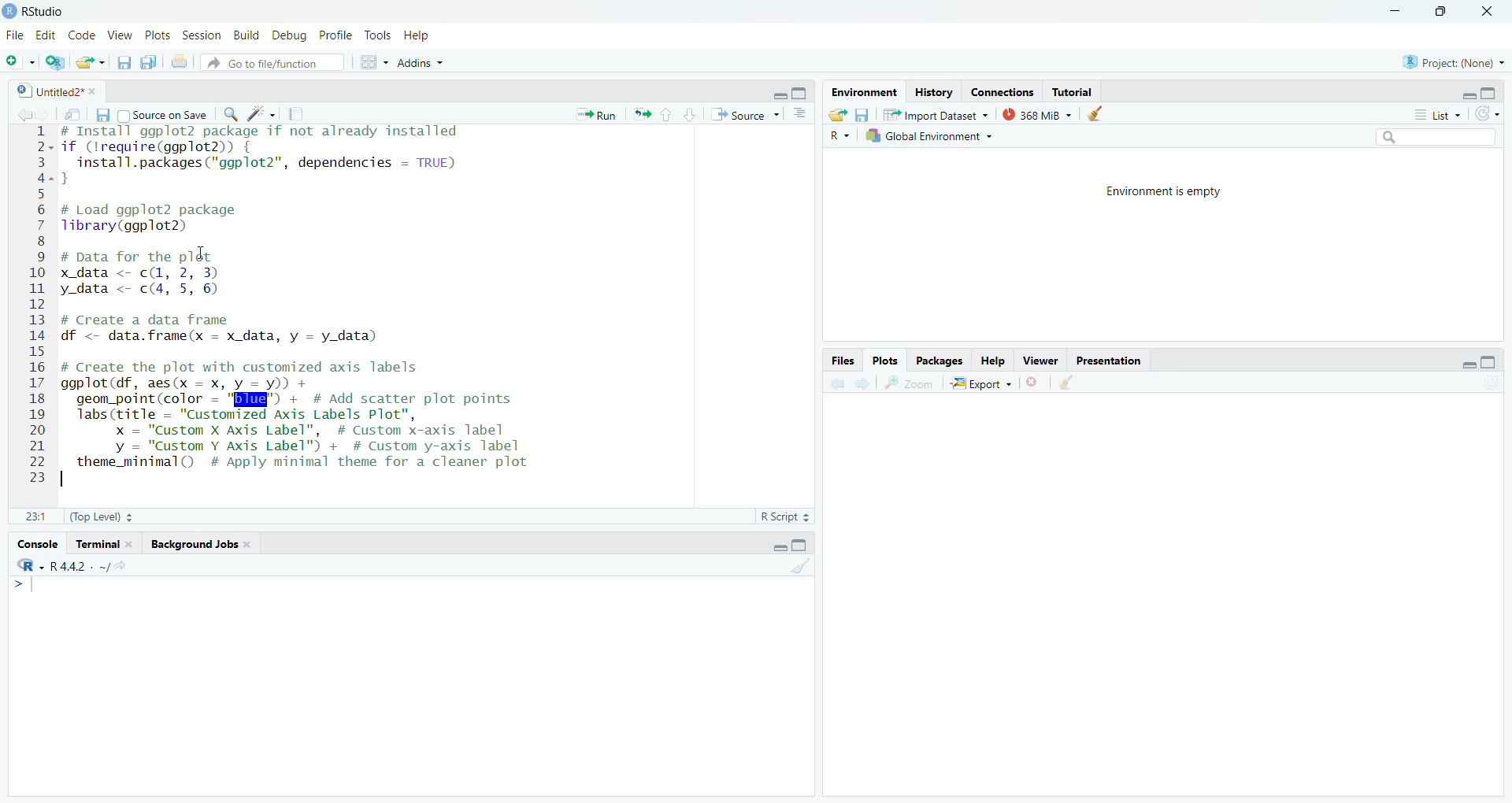  What do you see at coordinates (669, 117) in the screenshot?
I see `upward` at bounding box center [669, 117].